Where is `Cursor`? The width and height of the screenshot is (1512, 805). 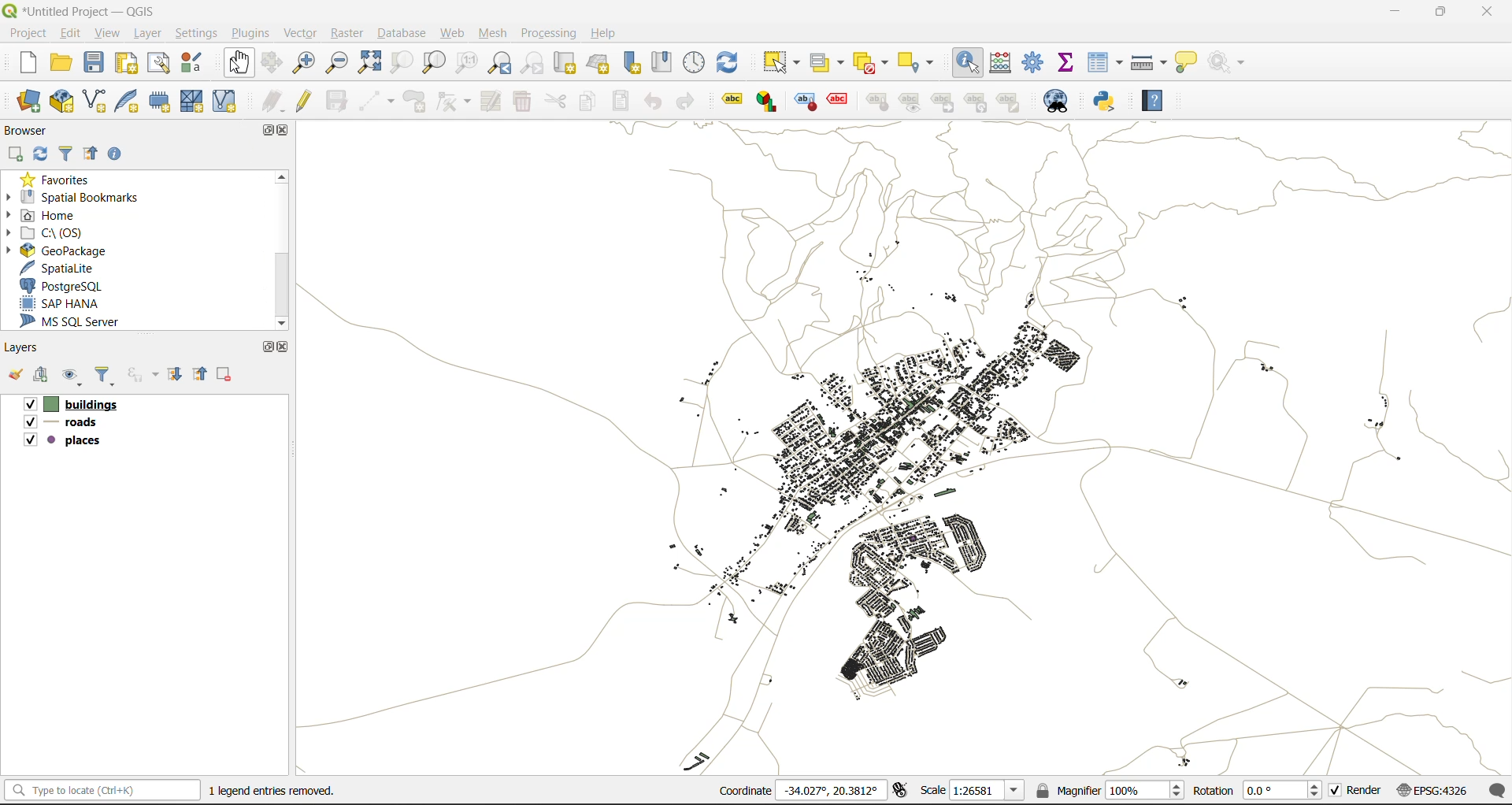
Cursor is located at coordinates (219, 482).